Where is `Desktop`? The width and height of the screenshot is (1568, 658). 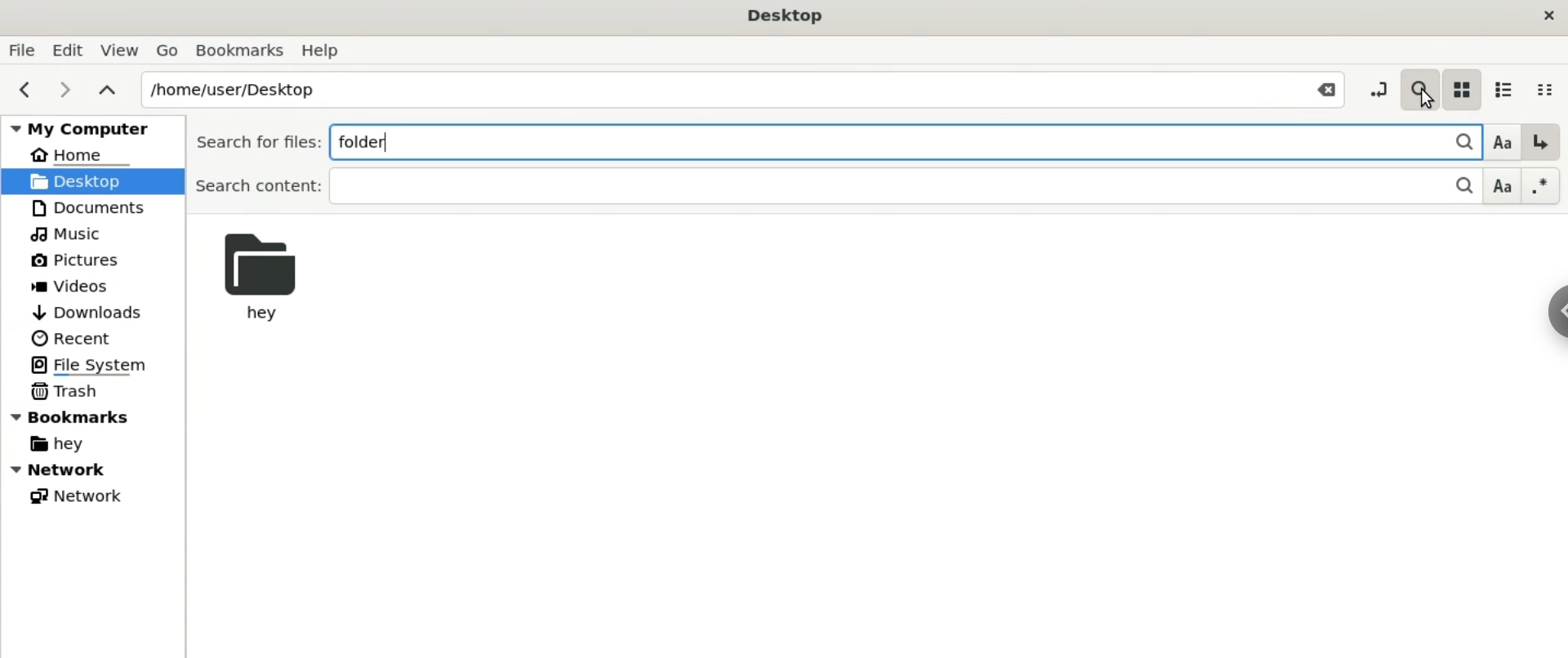 Desktop is located at coordinates (779, 15).